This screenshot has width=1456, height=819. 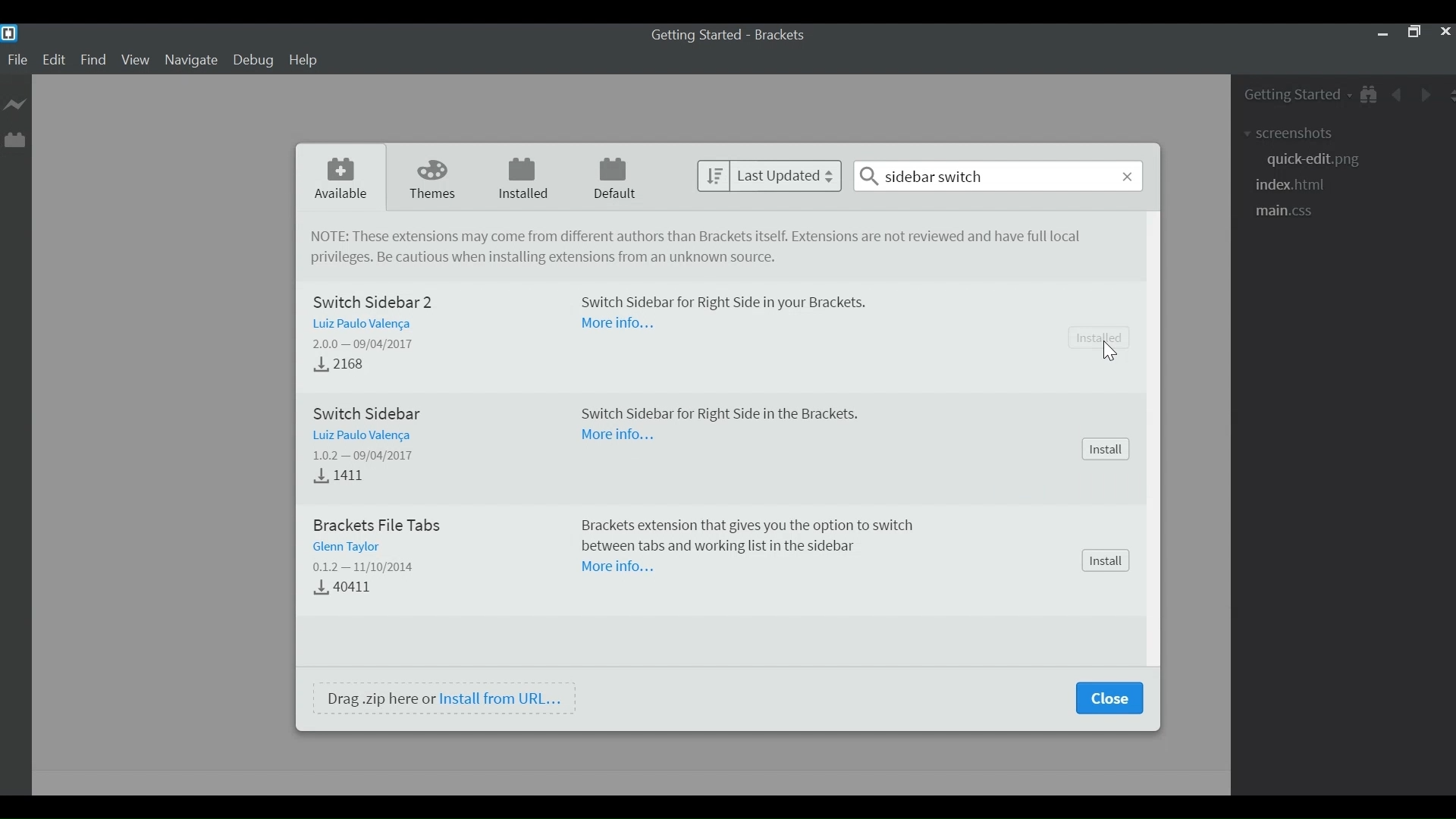 What do you see at coordinates (9, 33) in the screenshot?
I see `Brackets Desktop icon` at bounding box center [9, 33].